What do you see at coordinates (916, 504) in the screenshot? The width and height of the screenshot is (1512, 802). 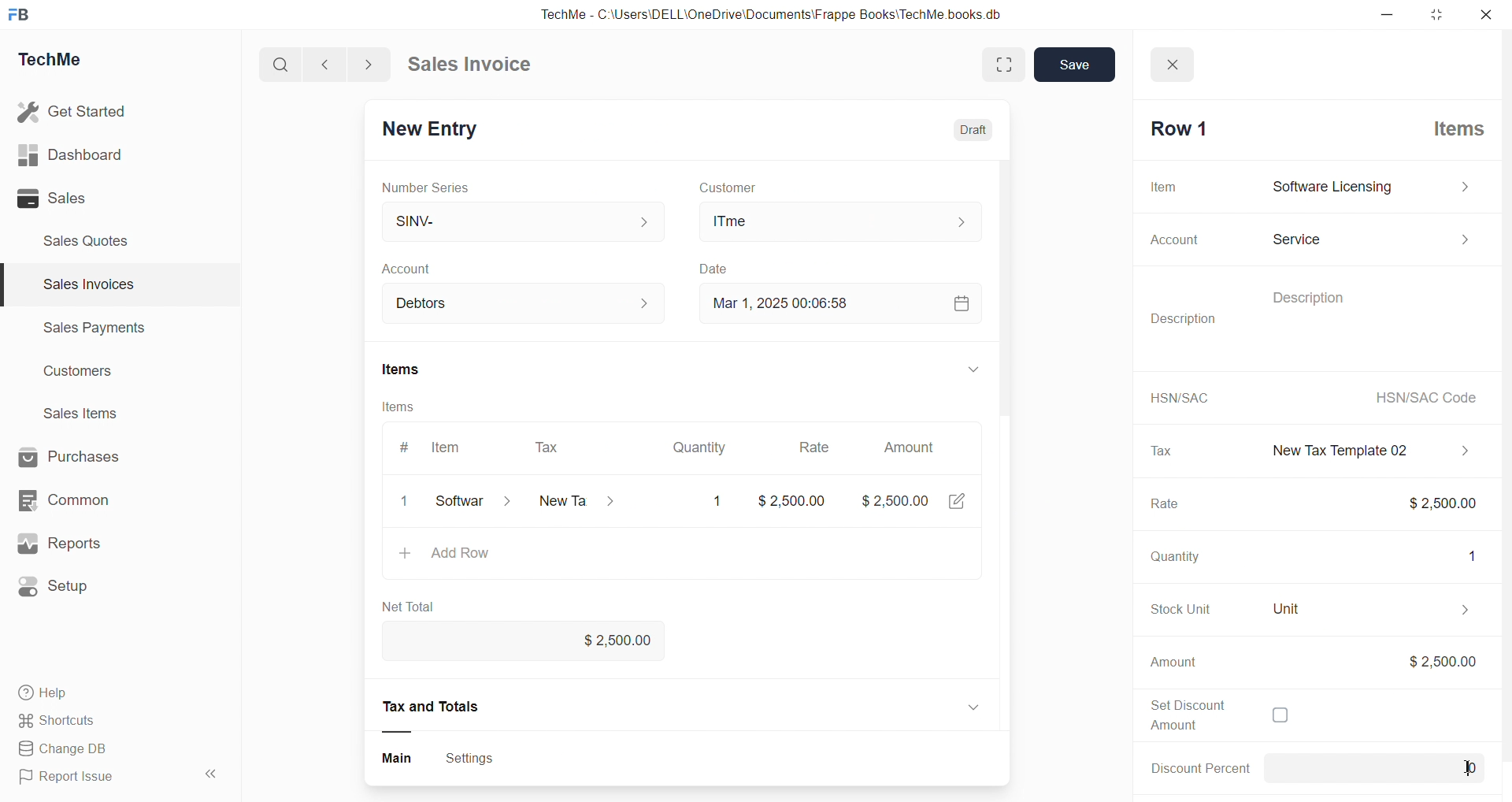 I see `$2,500.00 [4` at bounding box center [916, 504].